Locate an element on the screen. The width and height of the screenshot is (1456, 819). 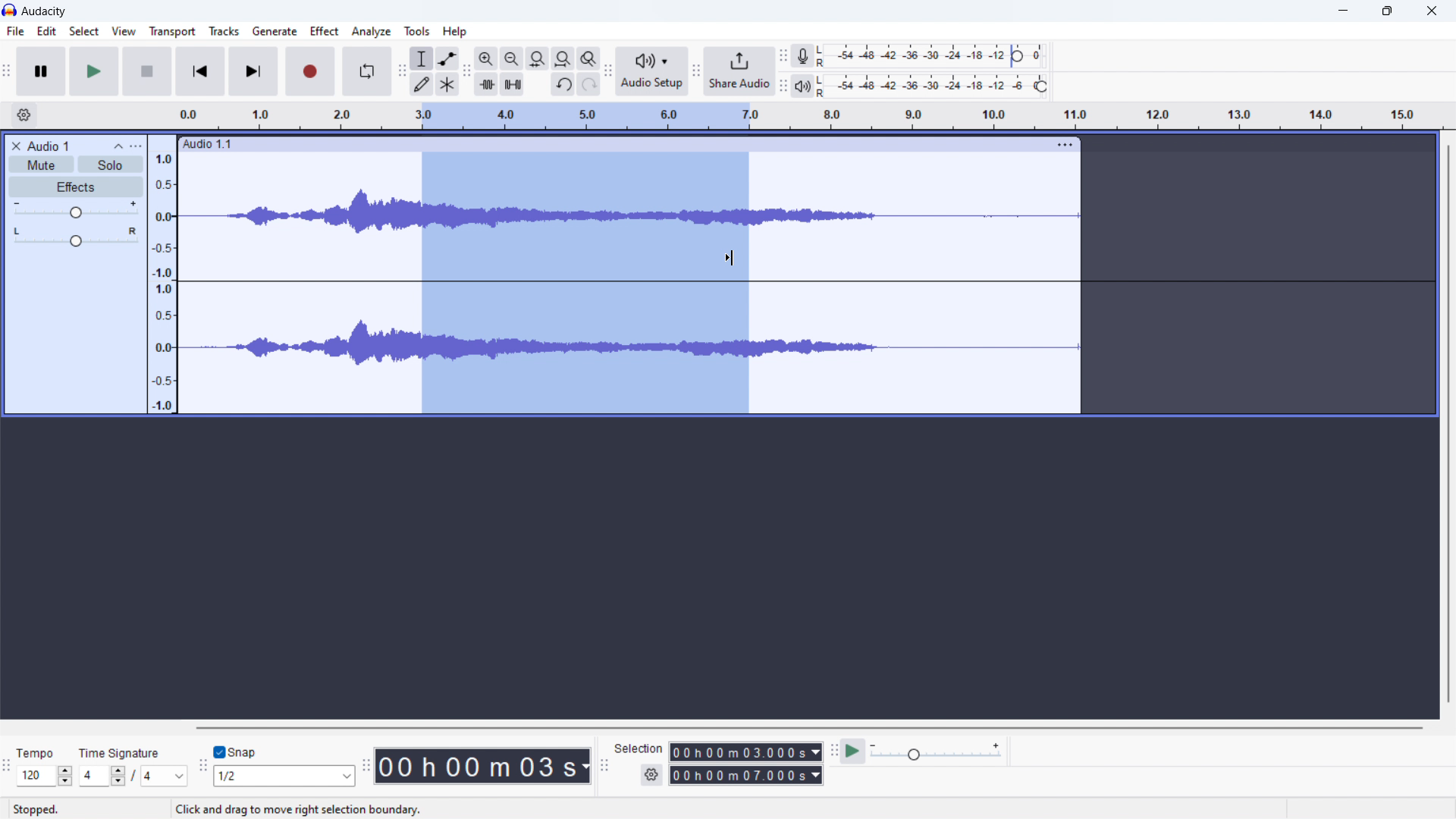
recording meter is located at coordinates (803, 56).